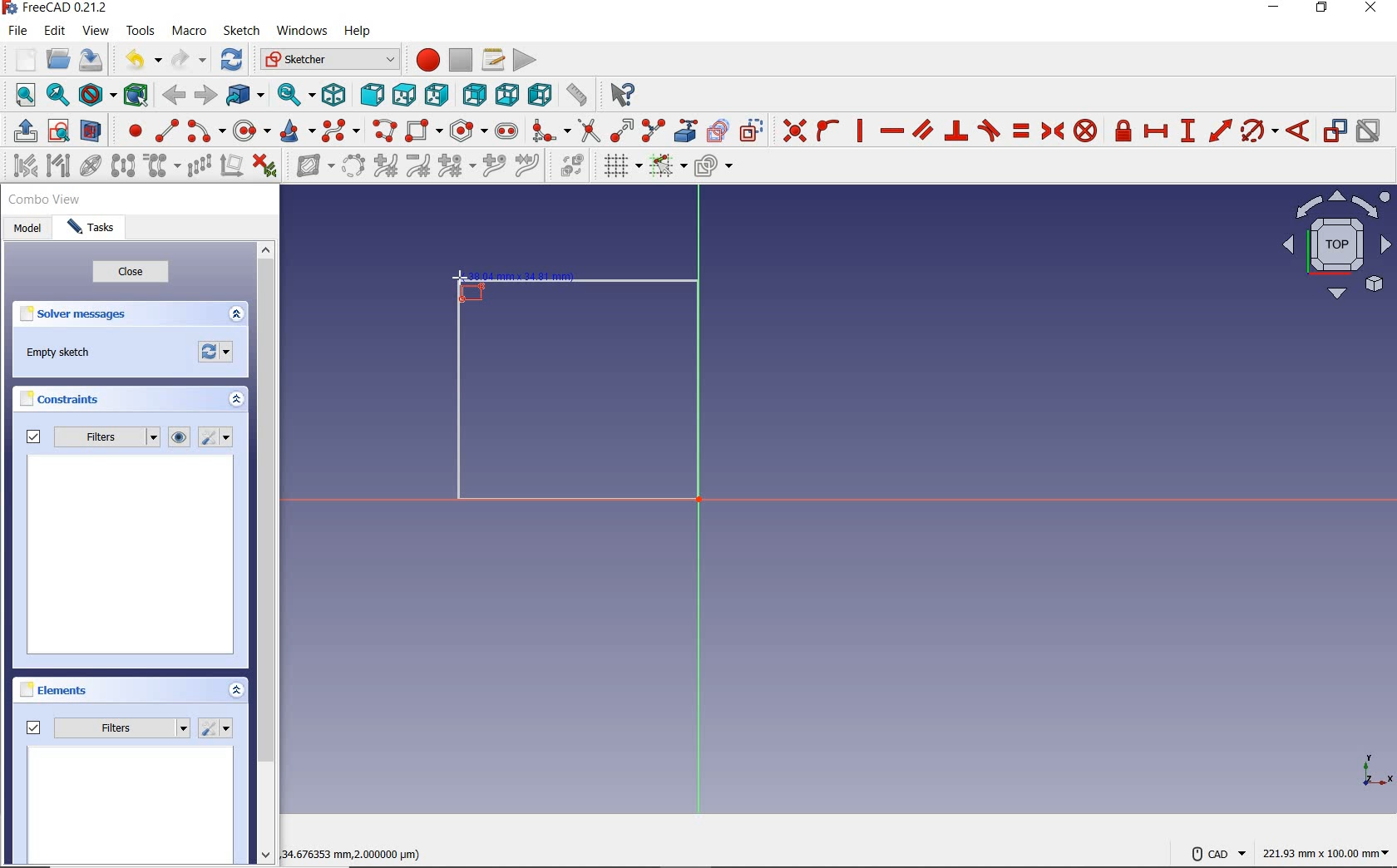  What do you see at coordinates (1275, 11) in the screenshot?
I see `minimize` at bounding box center [1275, 11].